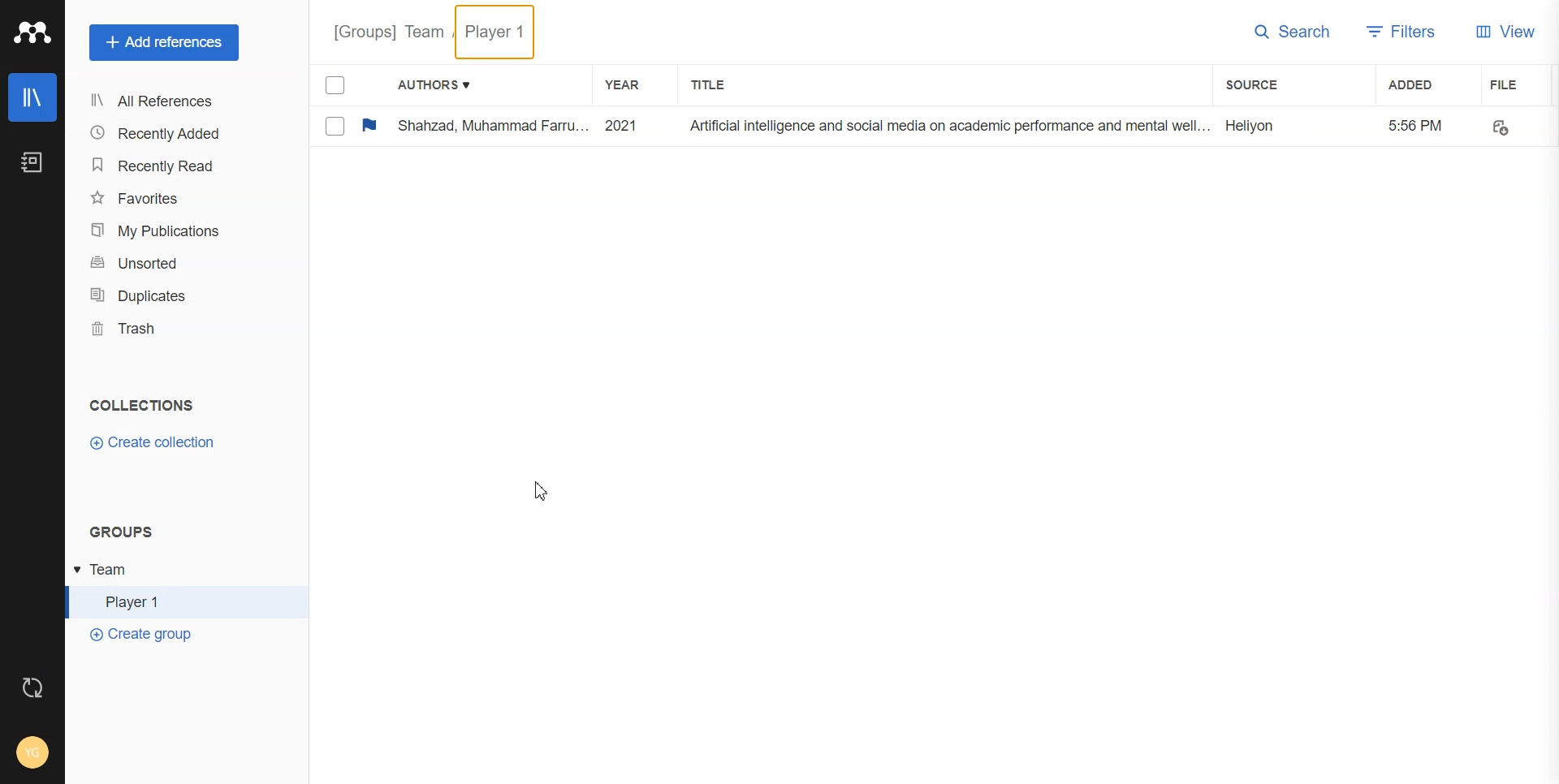  Describe the element at coordinates (164, 102) in the screenshot. I see `All References` at that location.